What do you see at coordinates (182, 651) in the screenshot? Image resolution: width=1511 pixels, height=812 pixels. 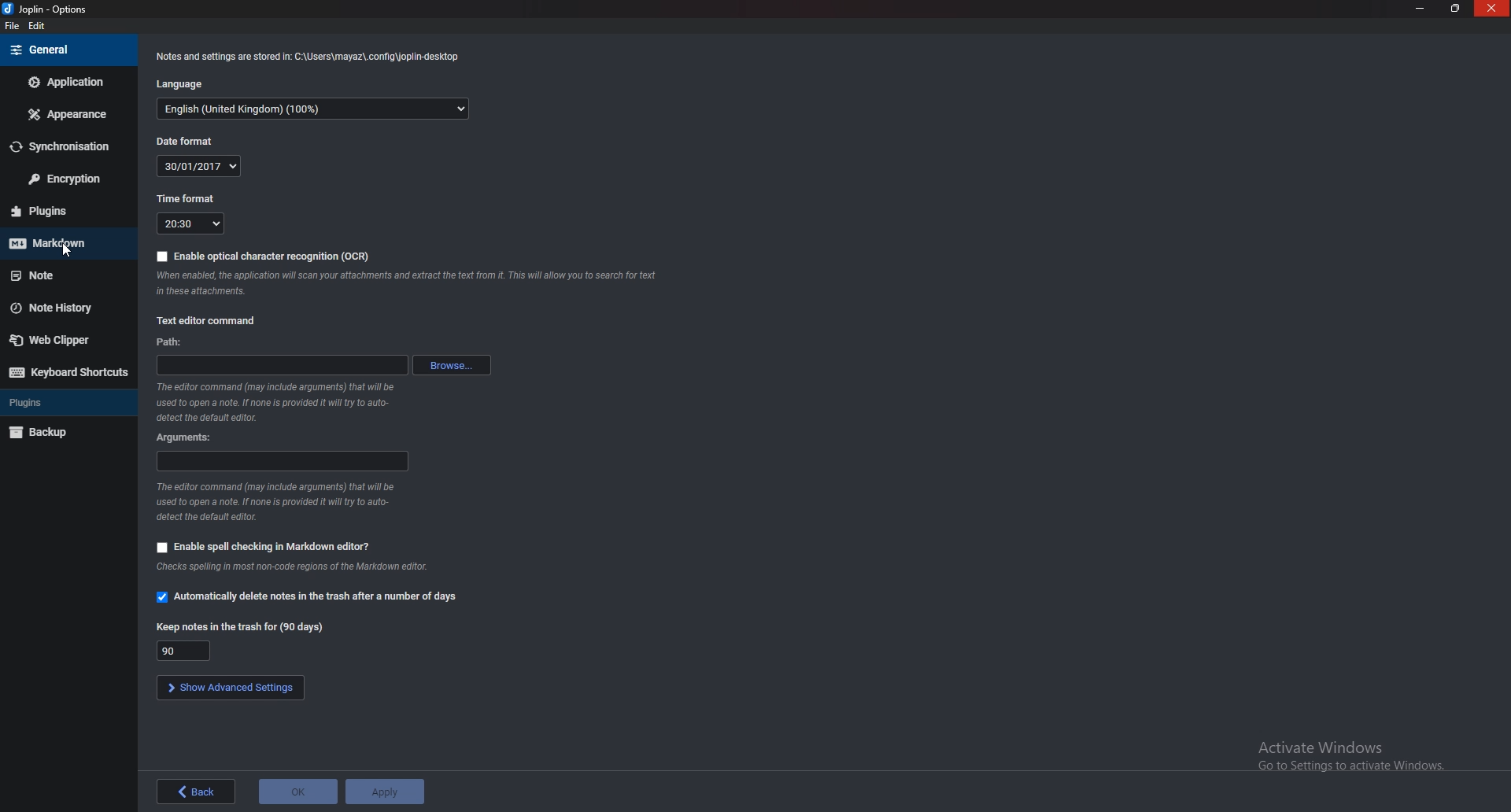 I see `90` at bounding box center [182, 651].